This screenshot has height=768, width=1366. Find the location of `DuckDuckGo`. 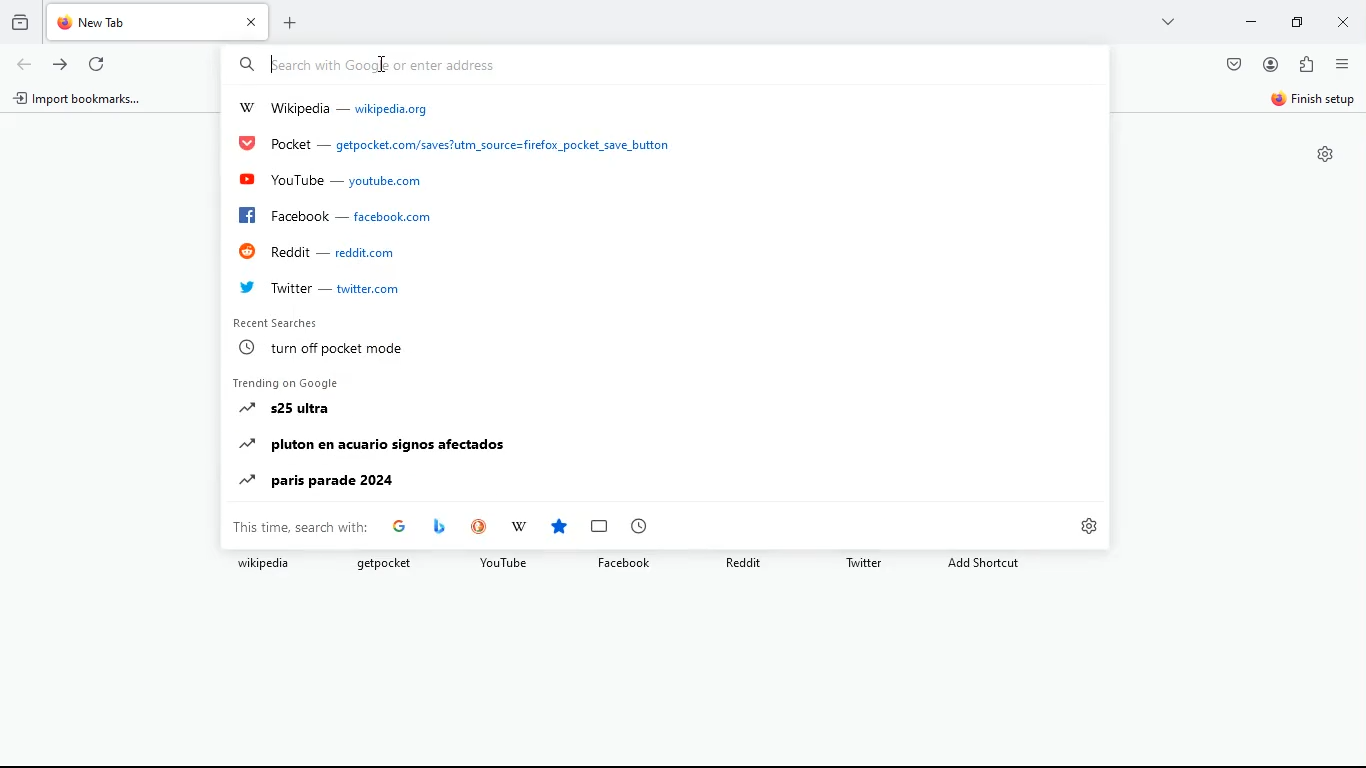

DuckDuckGo is located at coordinates (478, 524).